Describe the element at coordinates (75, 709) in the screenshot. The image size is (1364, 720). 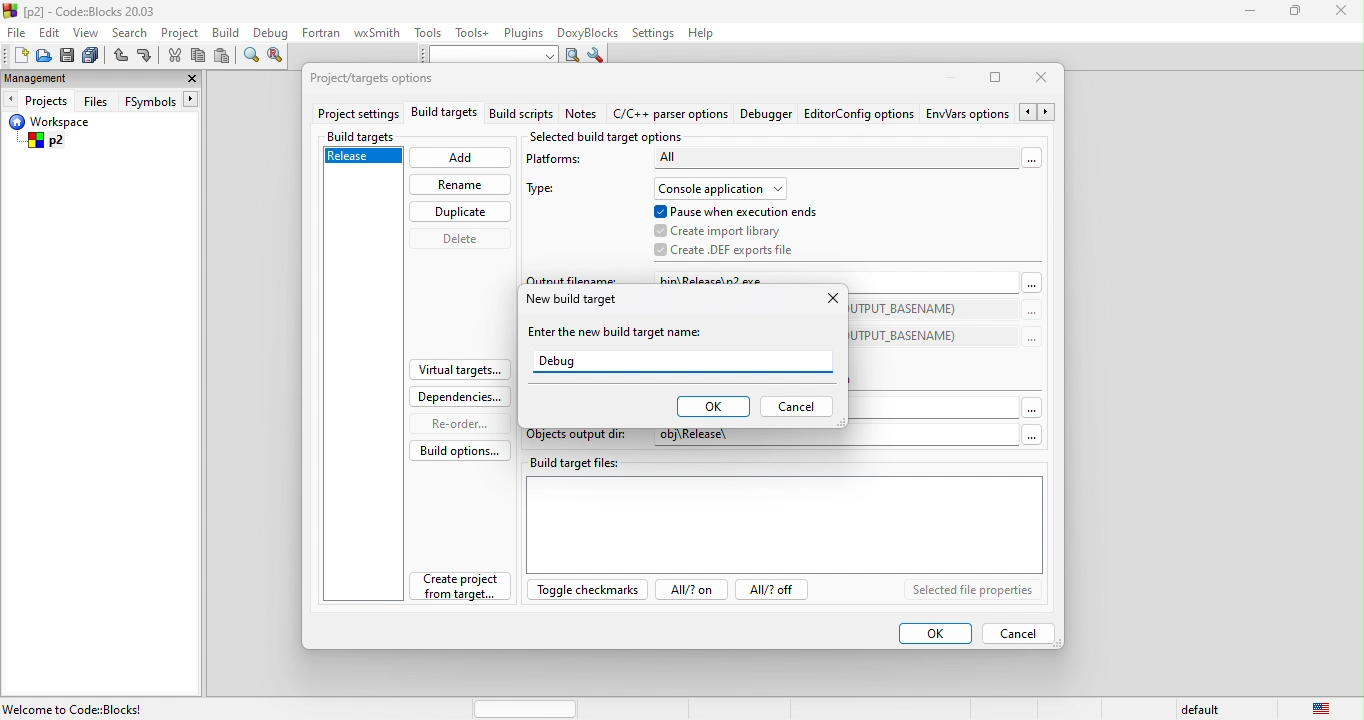
I see `Welcome to Code::Blocks!` at that location.